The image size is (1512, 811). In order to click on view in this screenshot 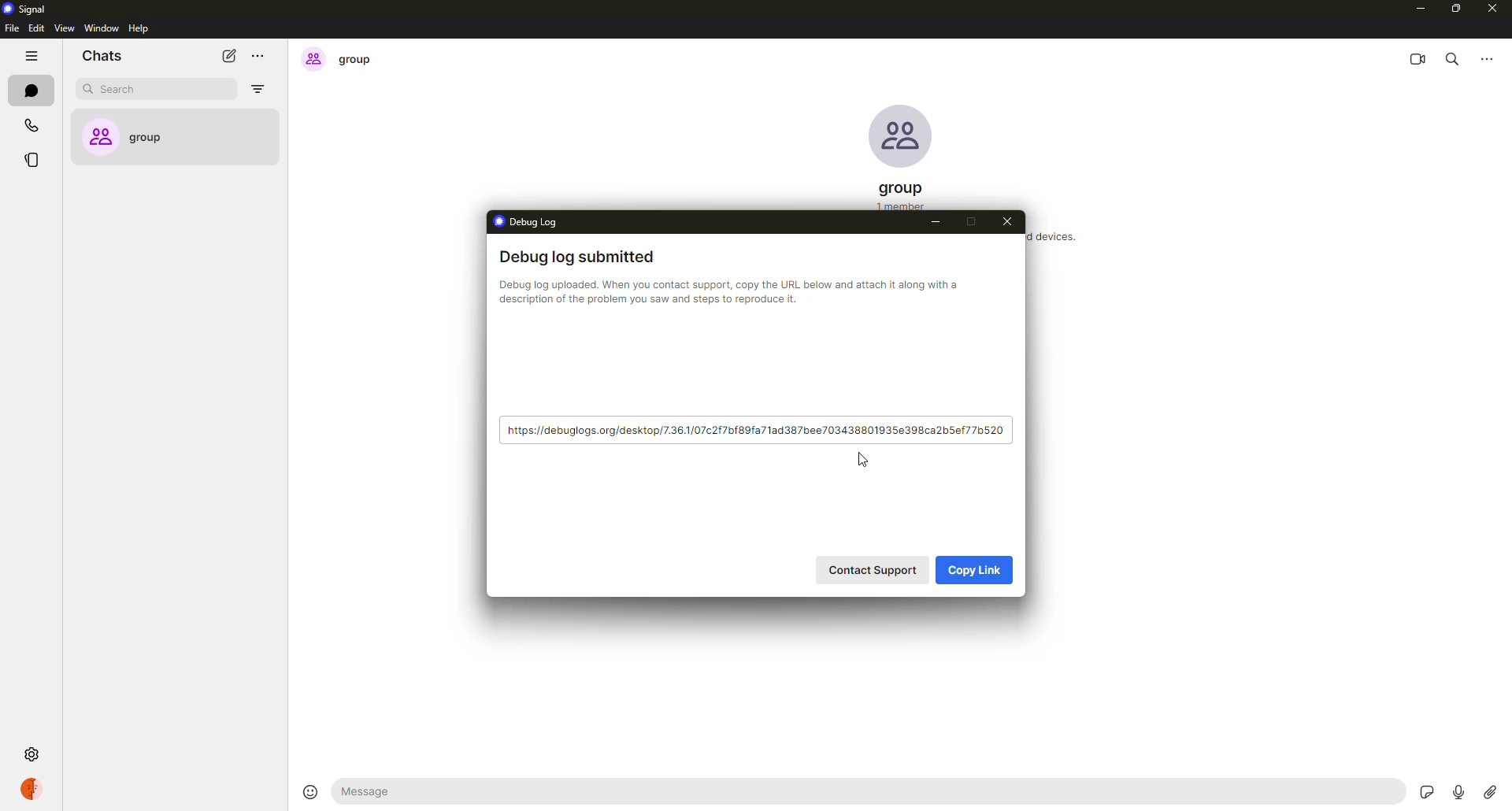, I will do `click(62, 28)`.